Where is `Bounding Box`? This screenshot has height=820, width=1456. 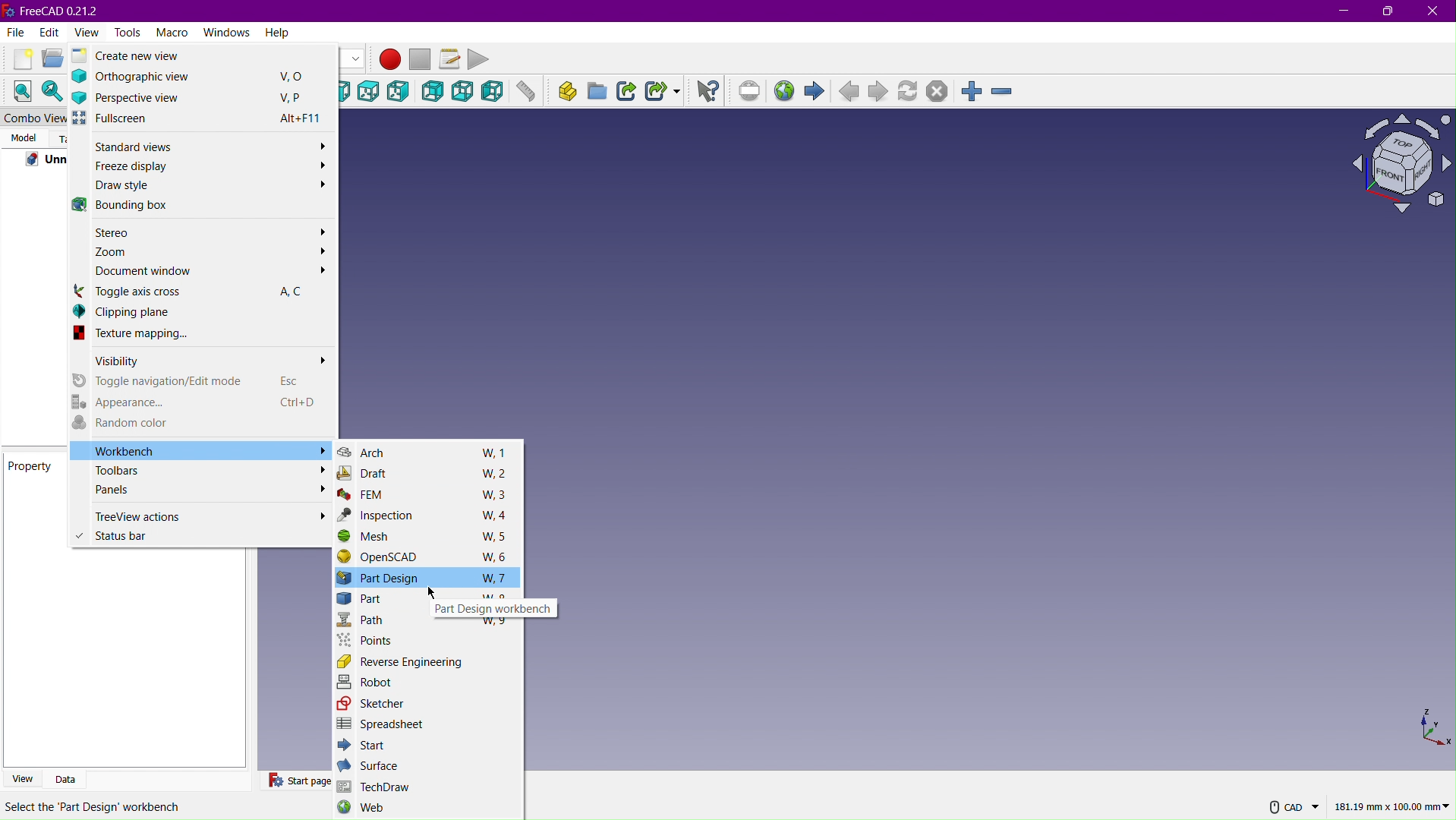 Bounding Box is located at coordinates (165, 207).